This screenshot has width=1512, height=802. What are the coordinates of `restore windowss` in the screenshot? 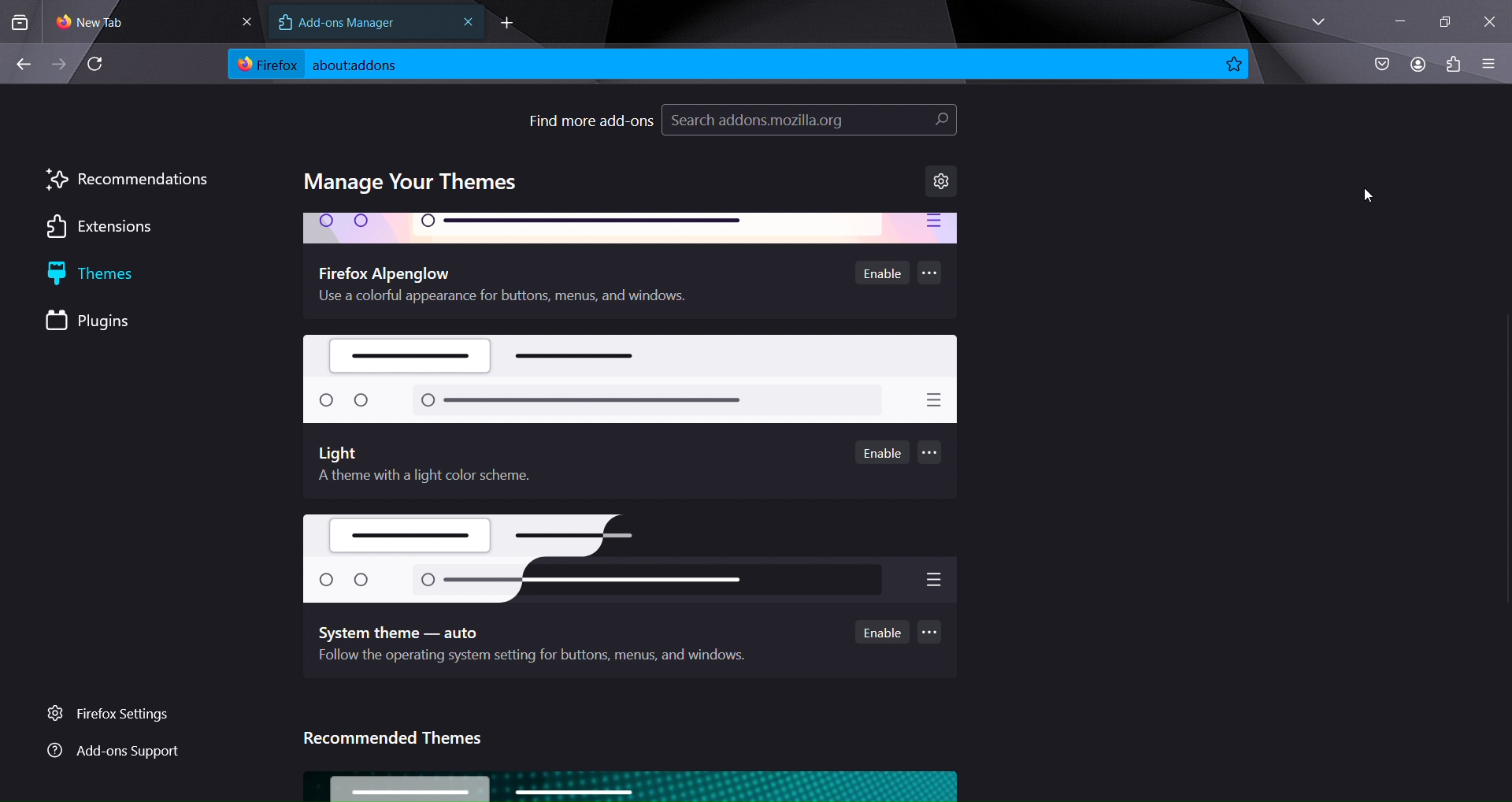 It's located at (1444, 20).